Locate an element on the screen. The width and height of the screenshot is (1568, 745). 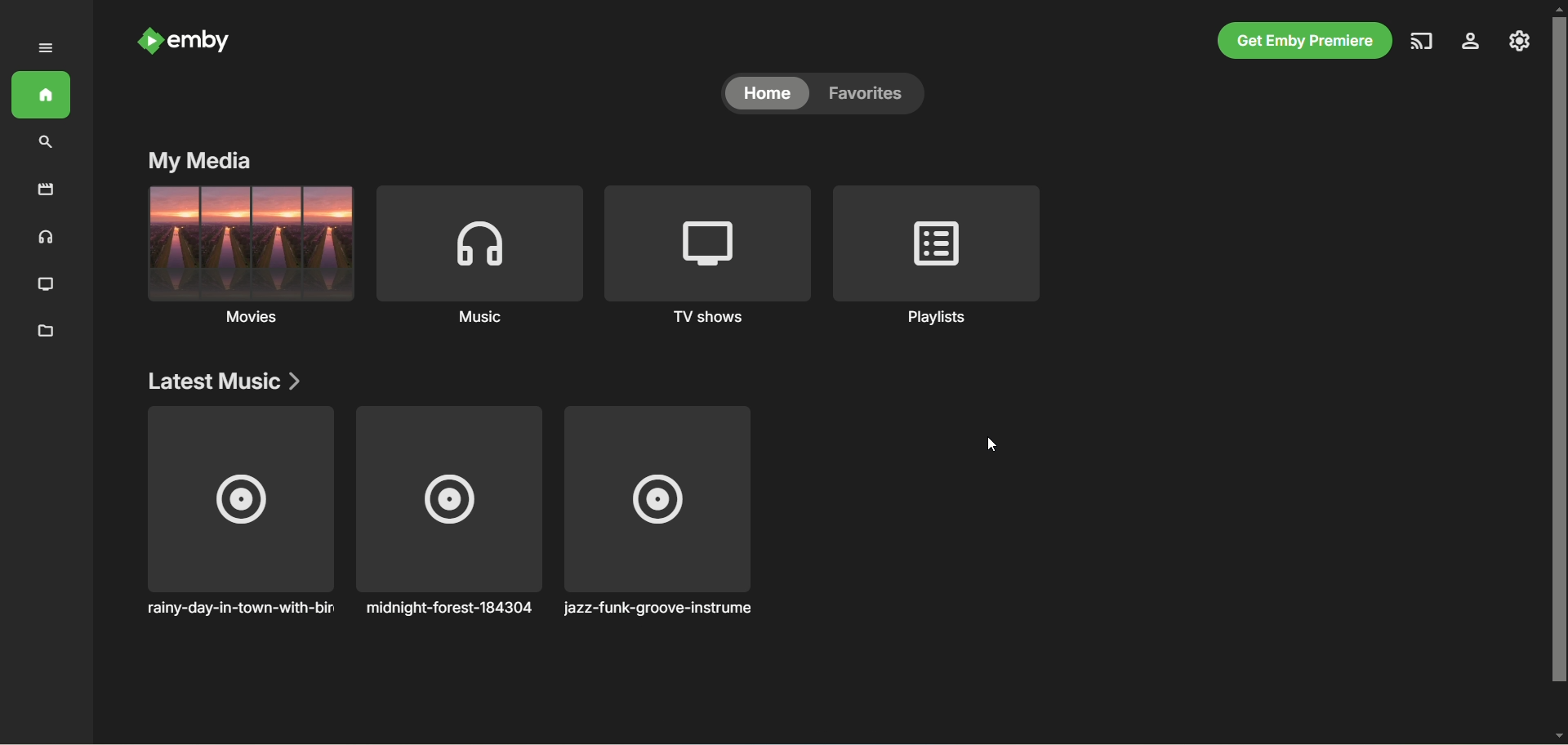
music album is located at coordinates (658, 511).